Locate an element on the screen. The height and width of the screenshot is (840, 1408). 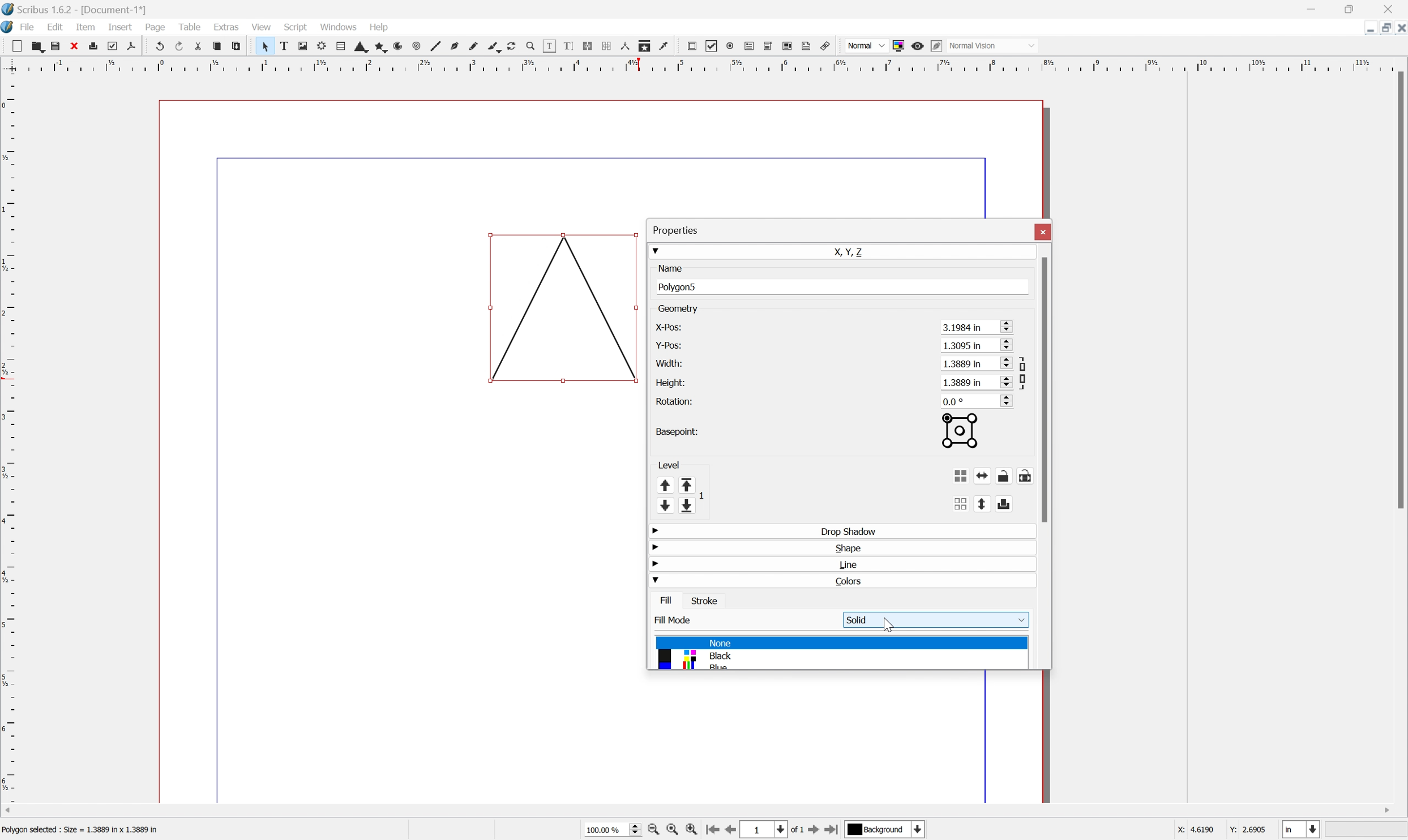
Normal is located at coordinates (867, 45).